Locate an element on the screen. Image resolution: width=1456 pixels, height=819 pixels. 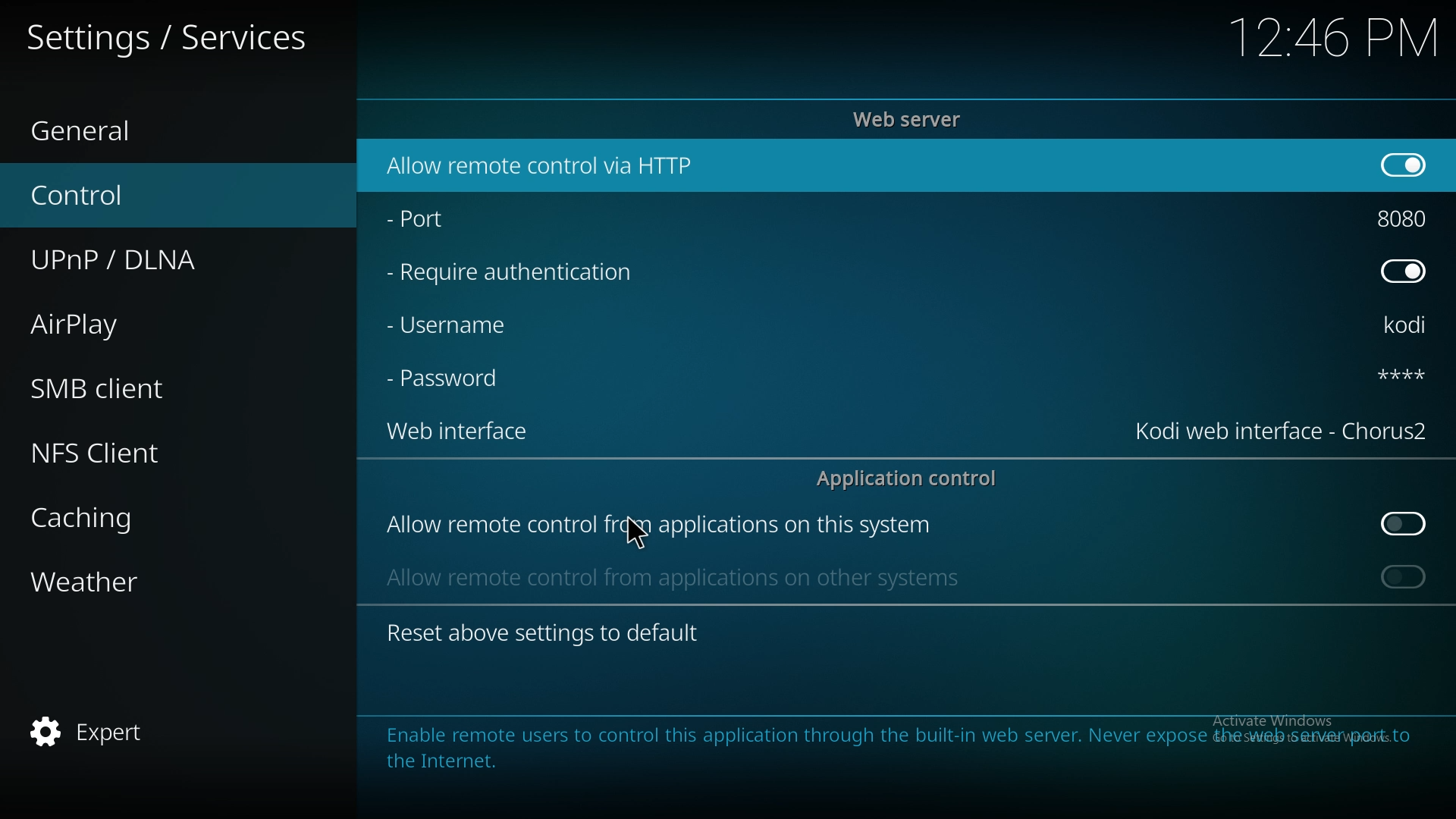
off is located at coordinates (1406, 524).